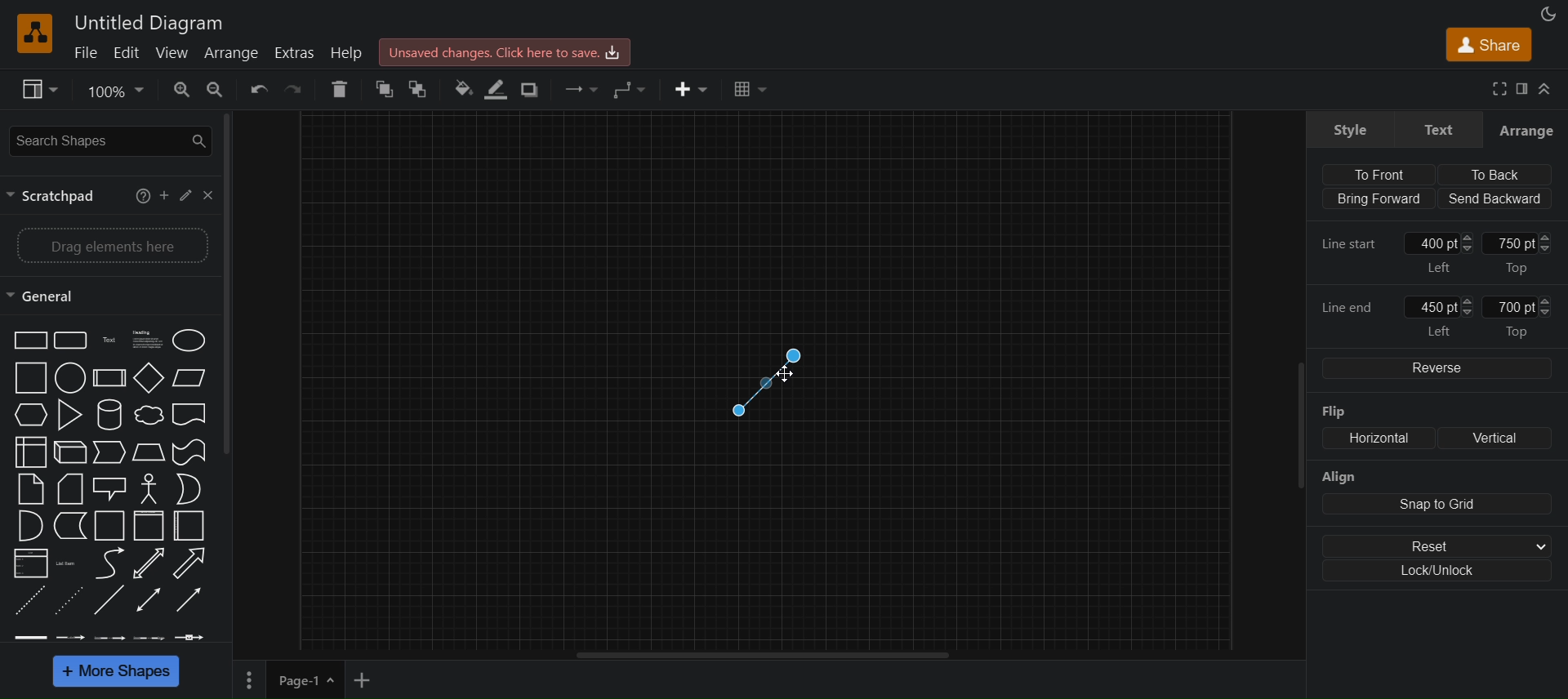 The width and height of the screenshot is (1568, 699). I want to click on connector line shape, so click(768, 376).